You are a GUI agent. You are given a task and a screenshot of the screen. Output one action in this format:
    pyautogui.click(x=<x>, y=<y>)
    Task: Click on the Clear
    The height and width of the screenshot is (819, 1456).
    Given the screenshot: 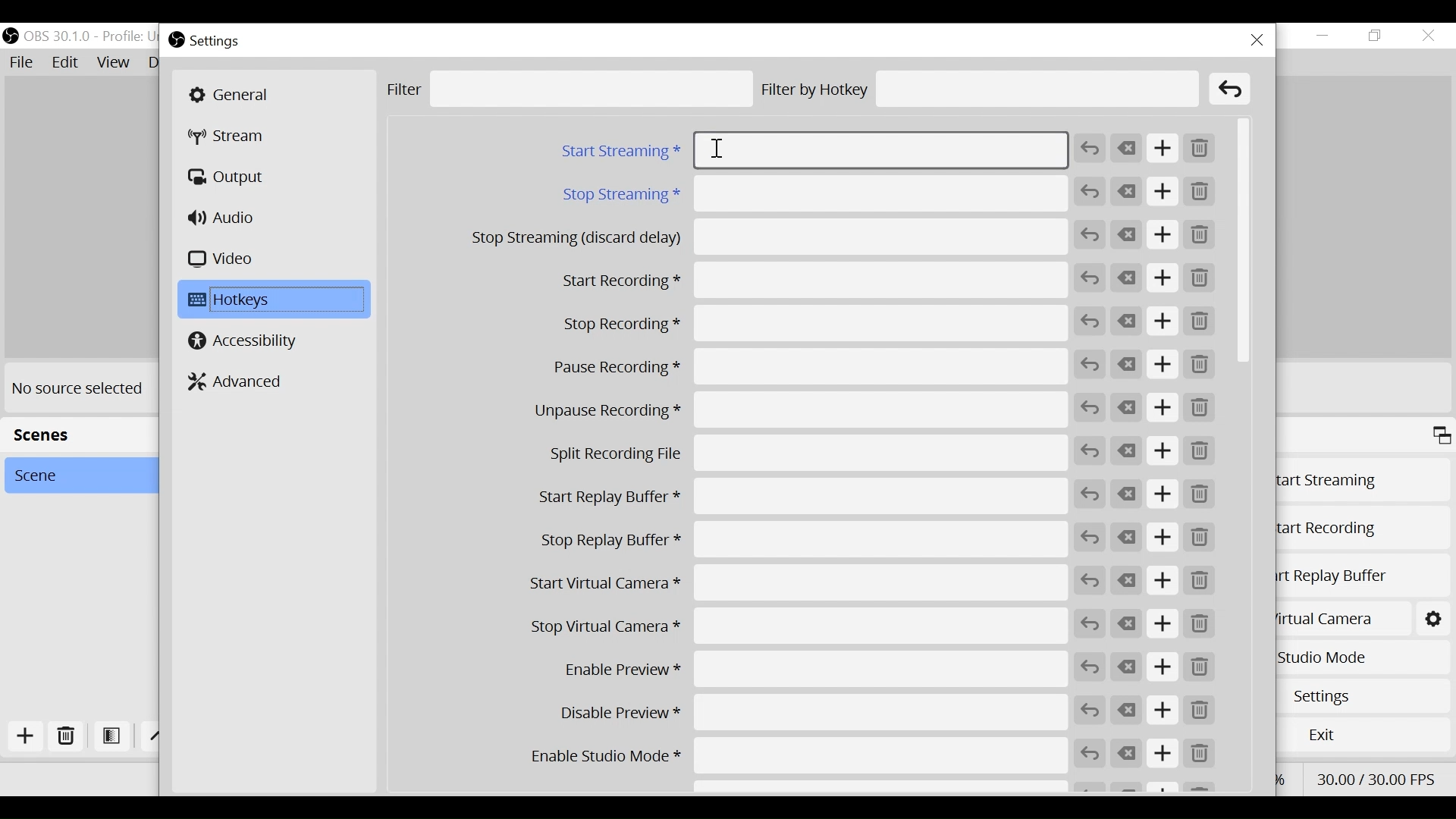 What is the action you would take?
    pyautogui.click(x=1127, y=536)
    